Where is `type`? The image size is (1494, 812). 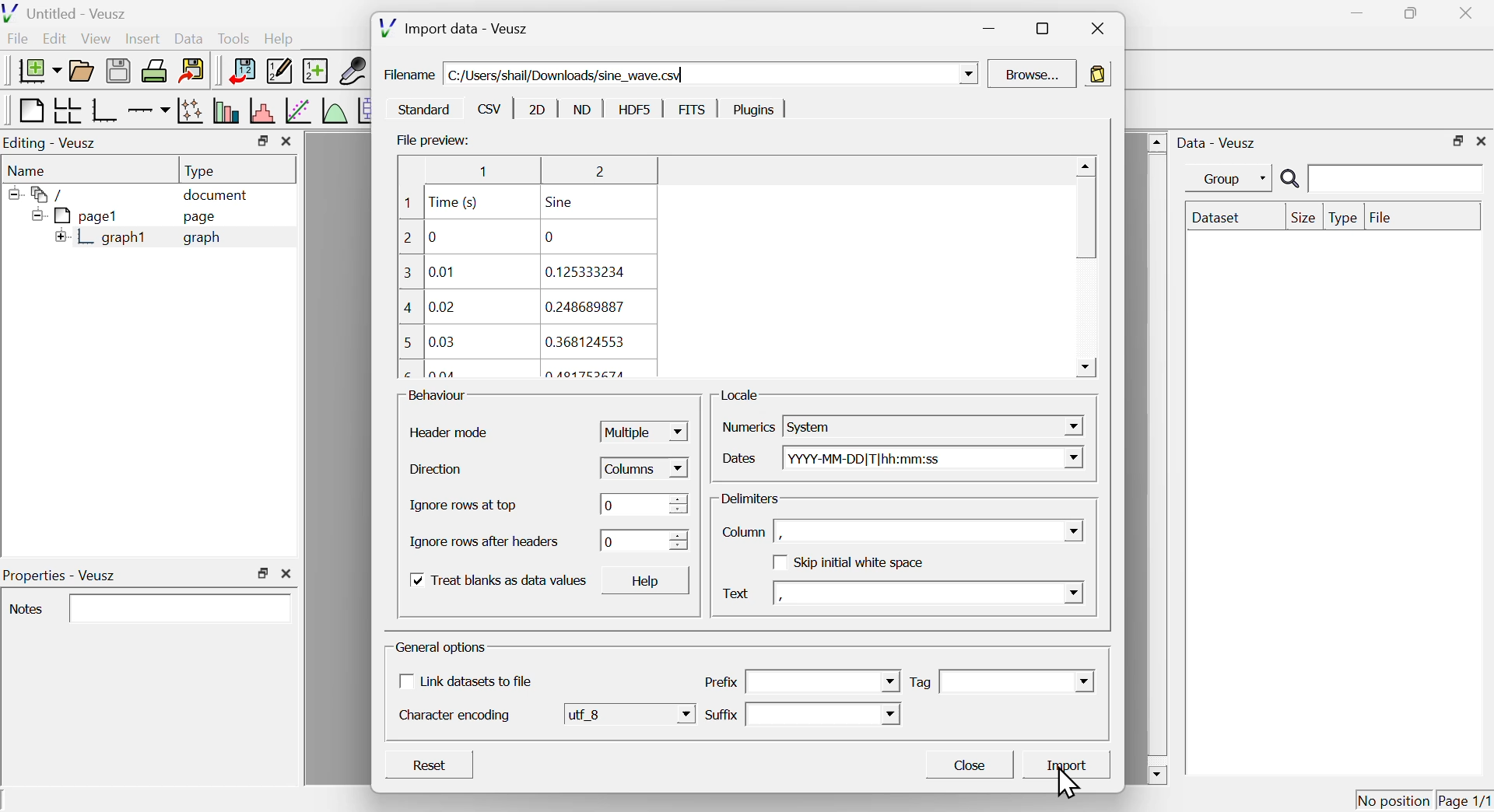
type is located at coordinates (202, 170).